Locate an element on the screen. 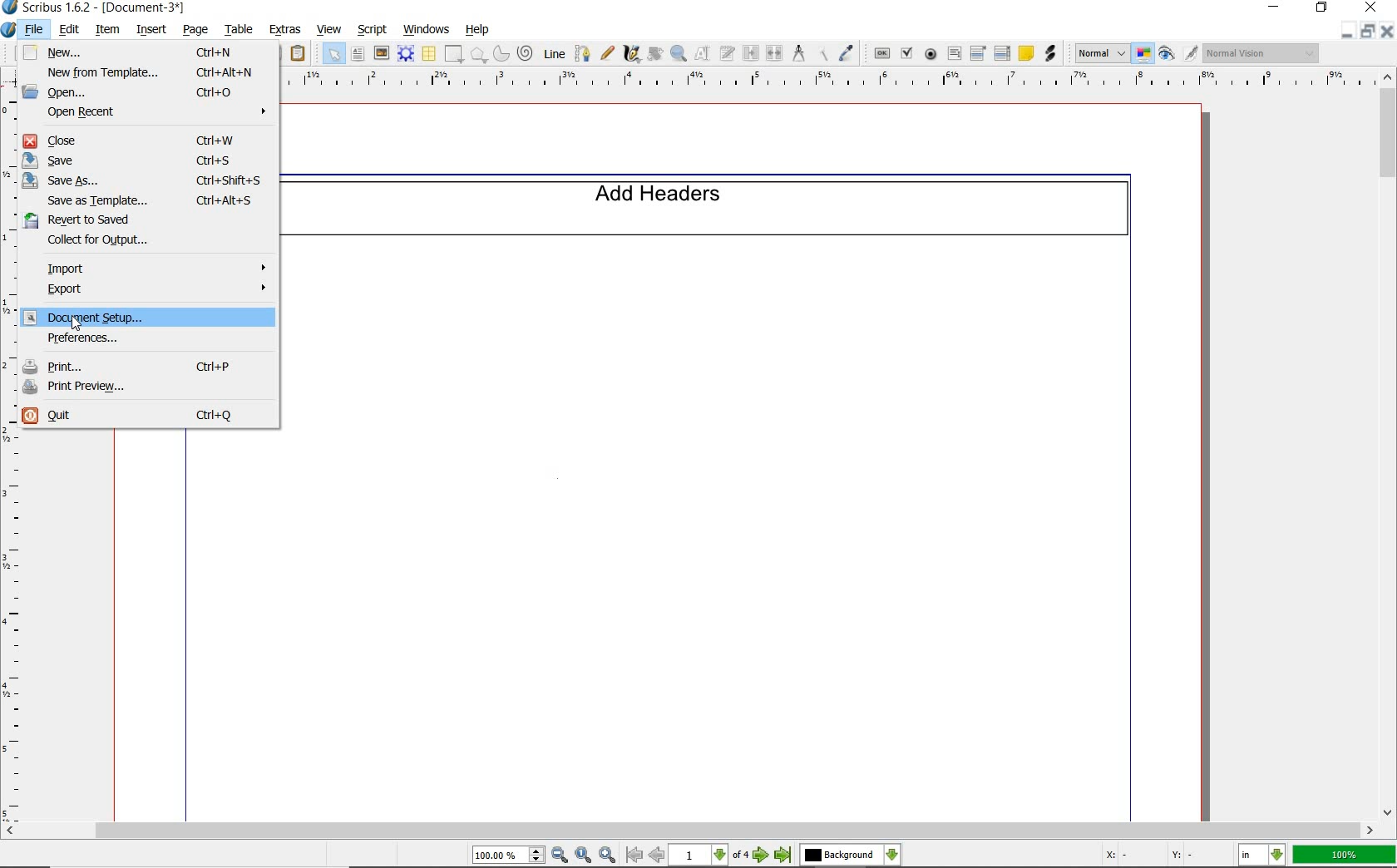  pdf list box is located at coordinates (1003, 52).